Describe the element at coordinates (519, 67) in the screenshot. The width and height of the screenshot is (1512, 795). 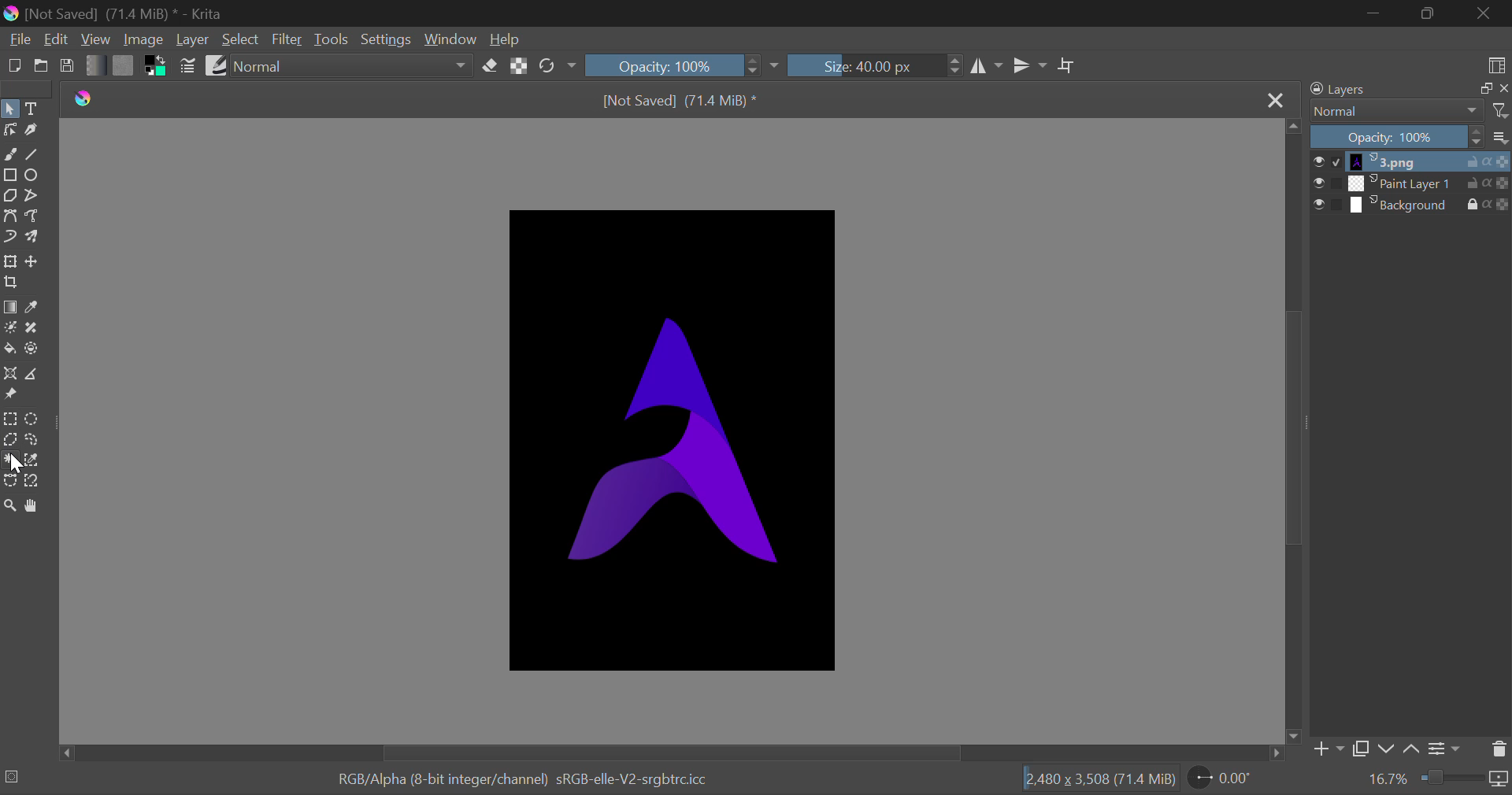
I see `Lock Alpha` at that location.